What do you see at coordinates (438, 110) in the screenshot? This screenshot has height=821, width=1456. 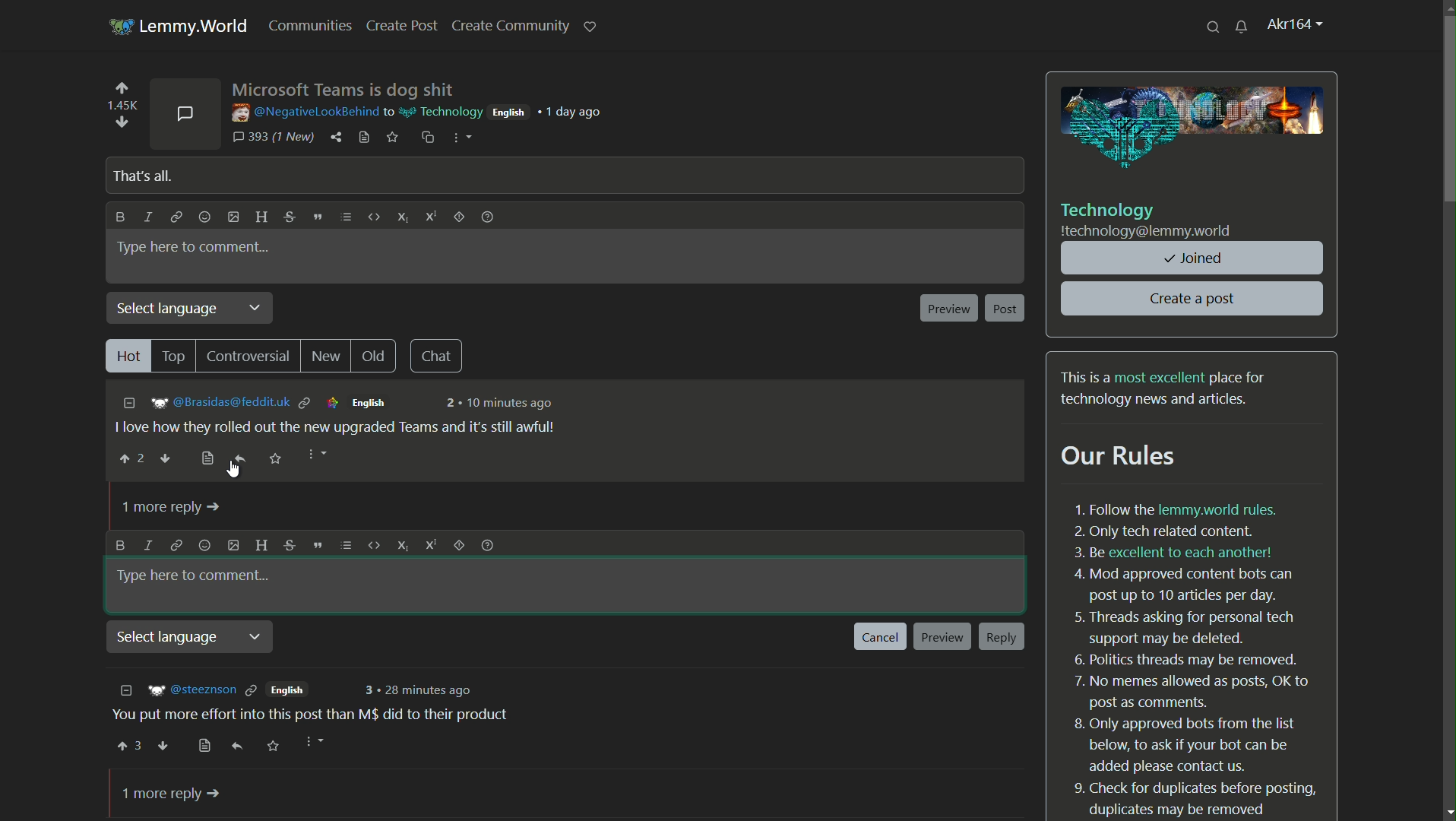 I see `community name` at bounding box center [438, 110].